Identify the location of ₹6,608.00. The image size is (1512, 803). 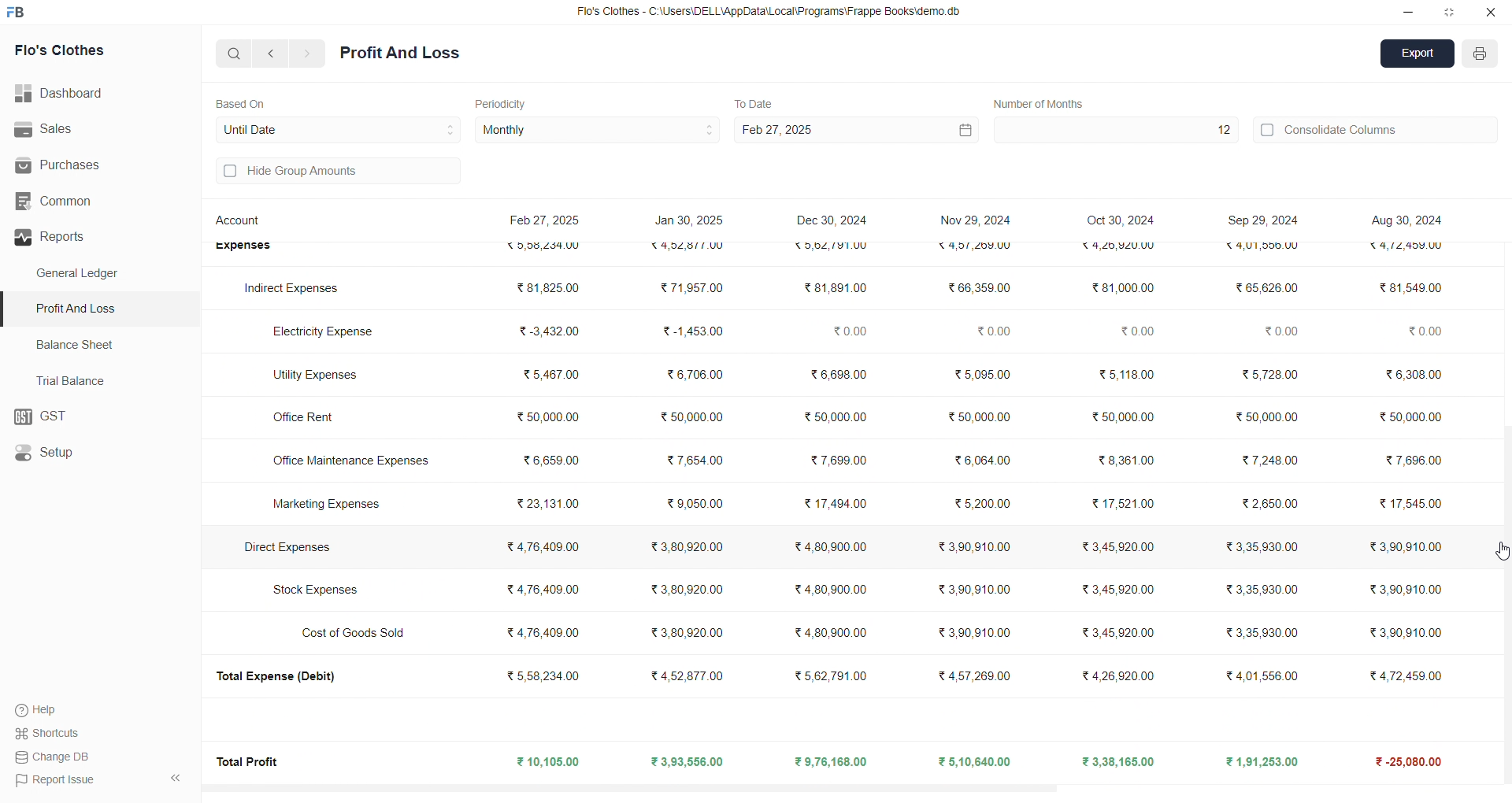
(836, 377).